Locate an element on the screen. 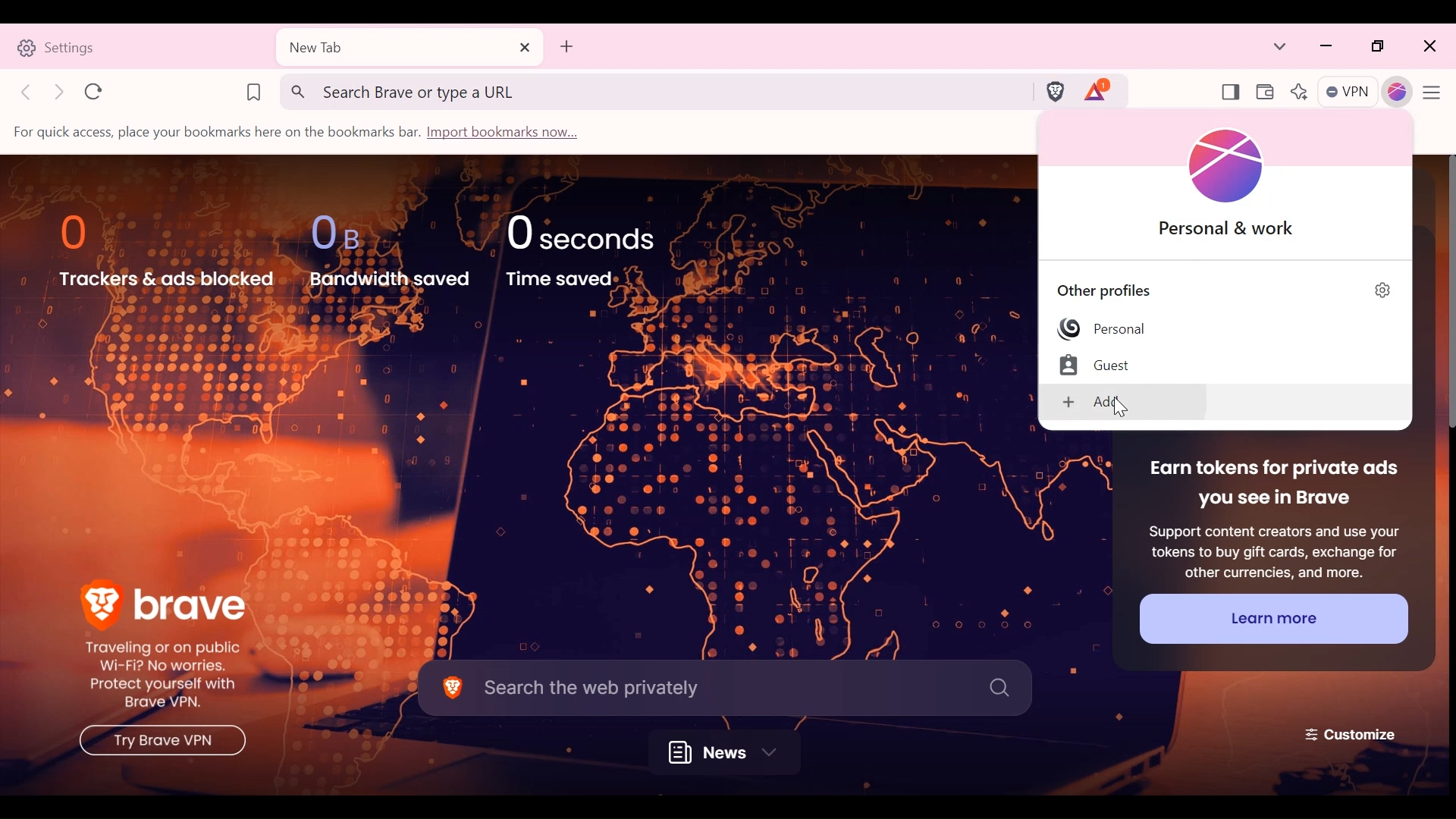 This screenshot has width=1456, height=819. Manage profiles is located at coordinates (1384, 290).